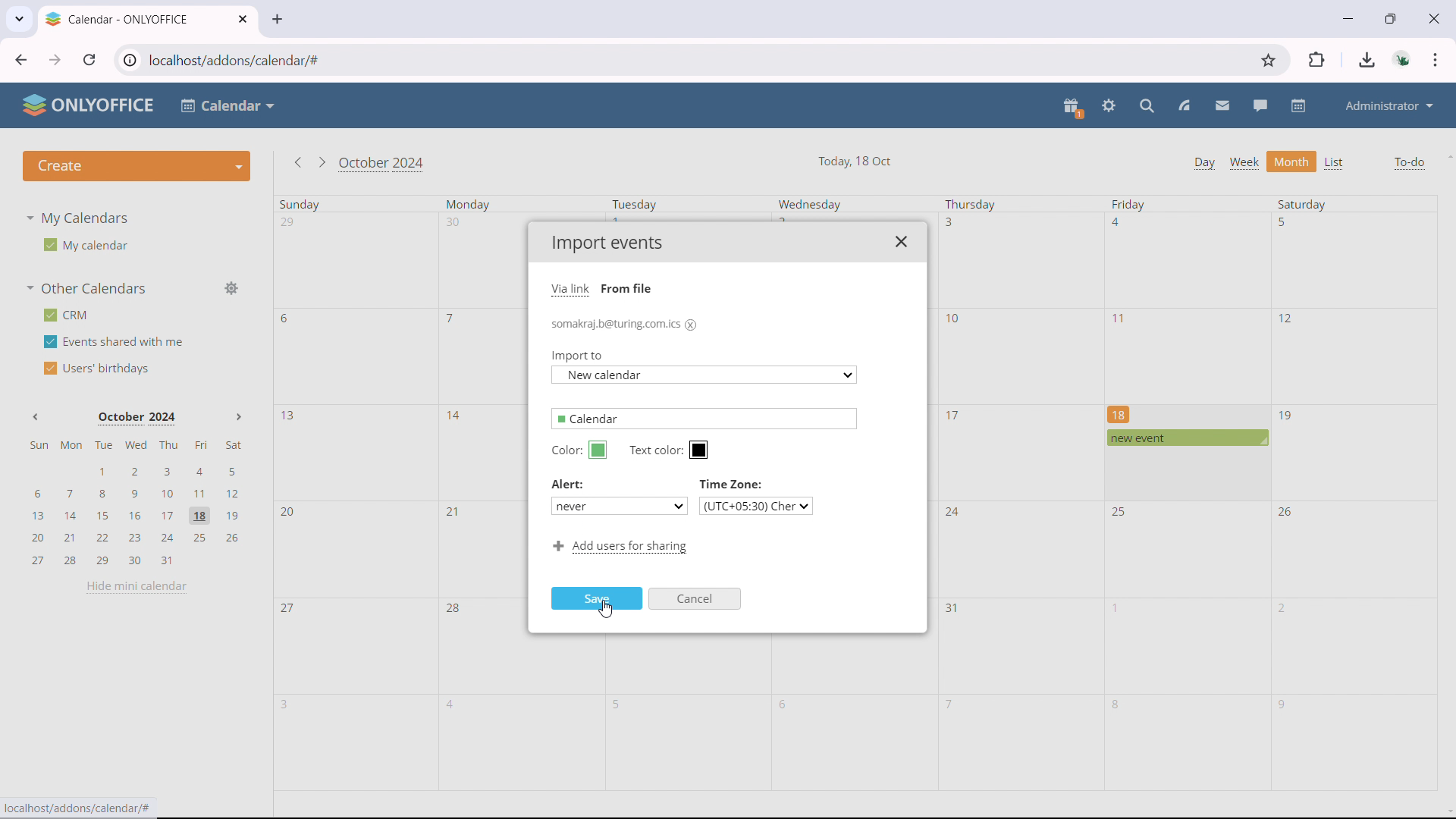  I want to click on 27, so click(289, 610).